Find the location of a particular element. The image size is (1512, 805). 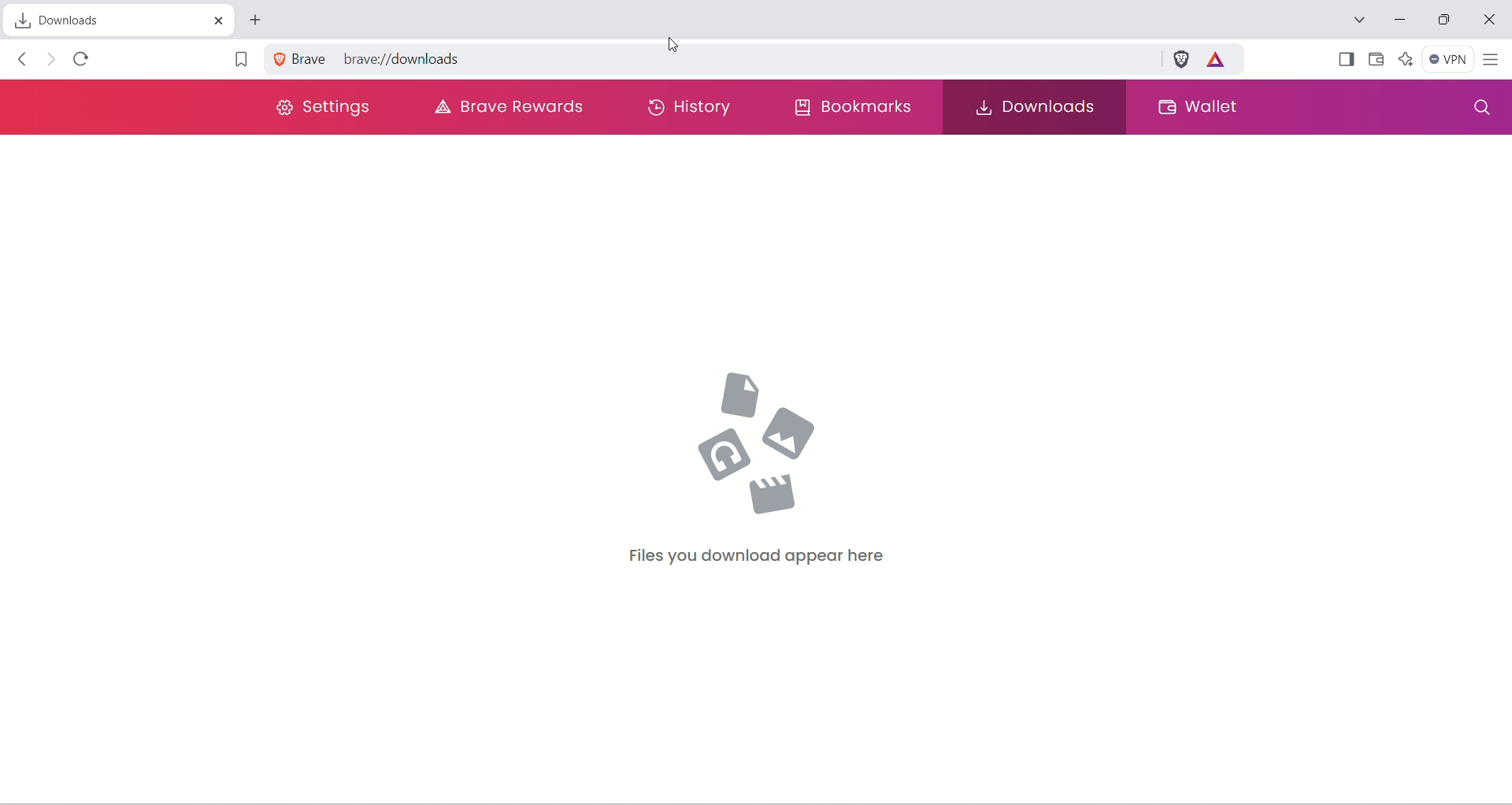

reload is located at coordinates (81, 56).